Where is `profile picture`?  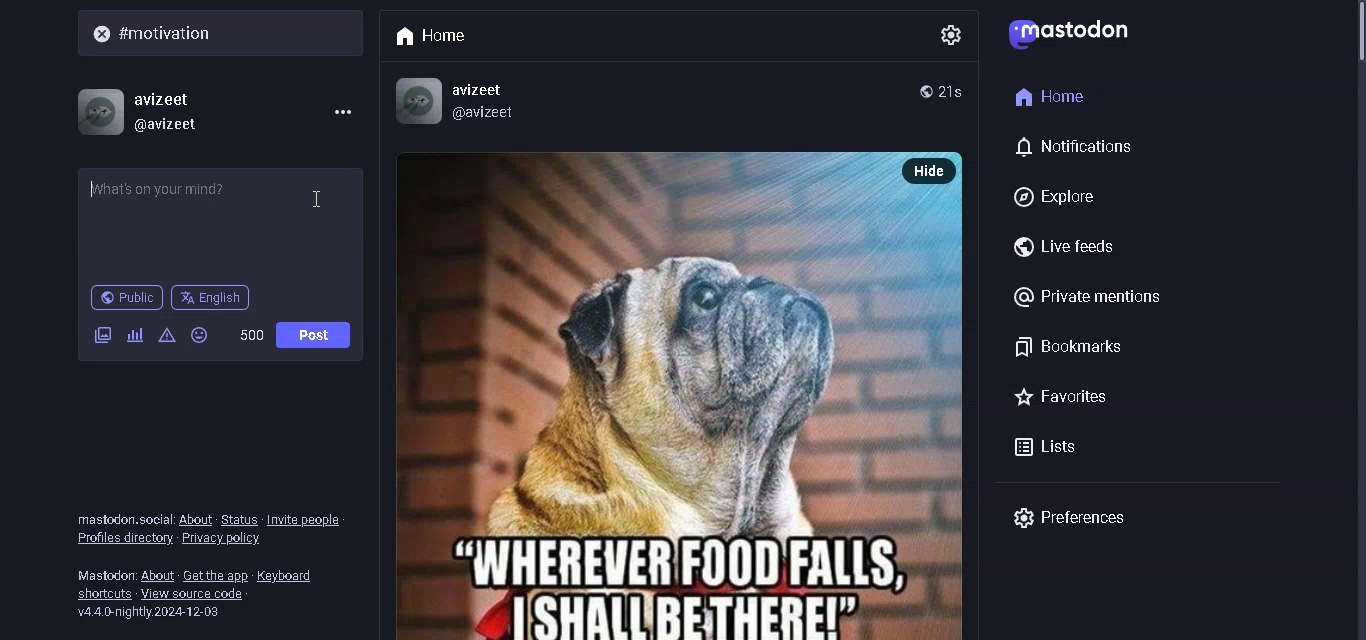
profile picture is located at coordinates (99, 108).